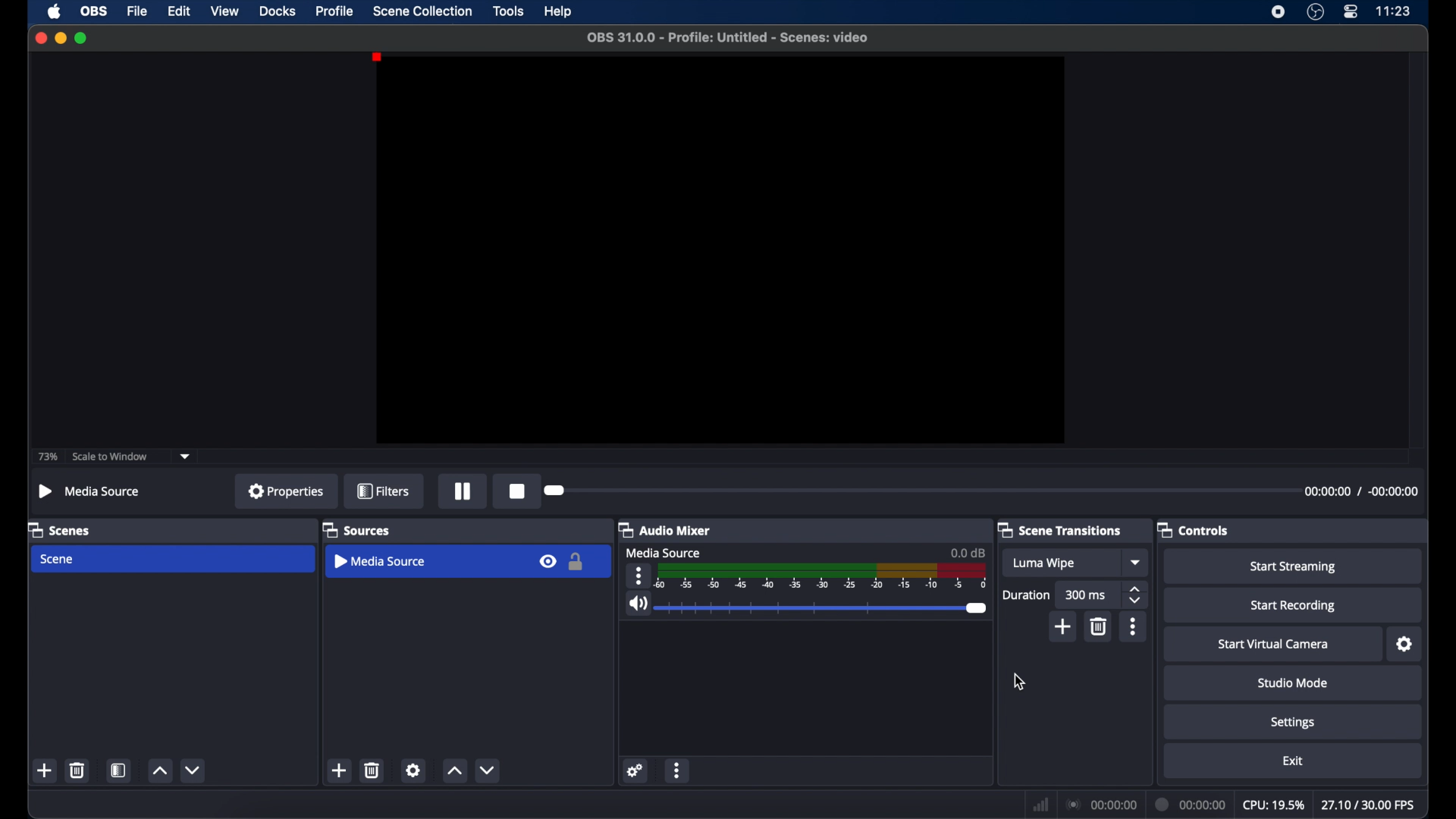 The height and width of the screenshot is (819, 1456). Describe the element at coordinates (44, 770) in the screenshot. I see `add` at that location.